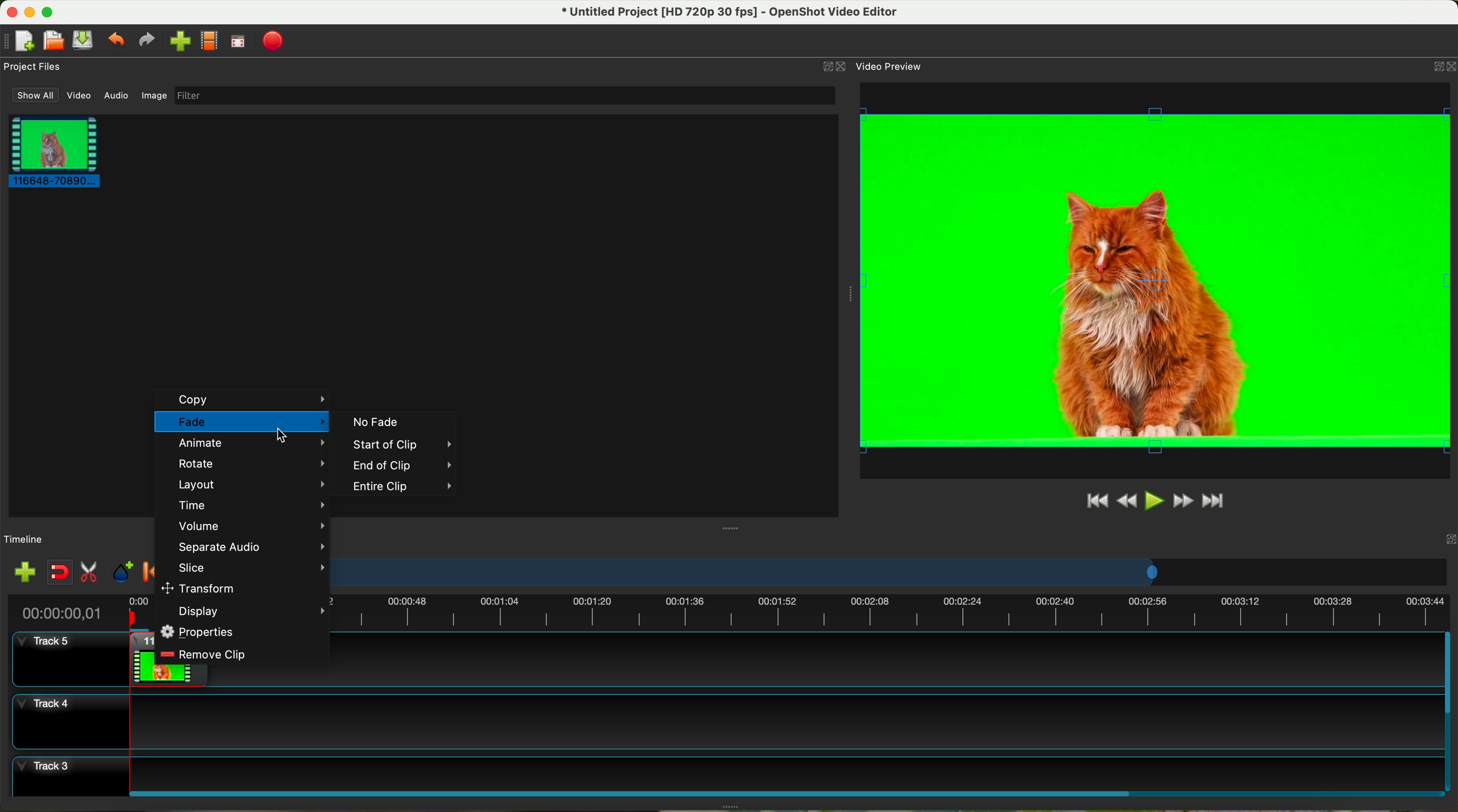  What do you see at coordinates (58, 613) in the screenshot?
I see `time` at bounding box center [58, 613].